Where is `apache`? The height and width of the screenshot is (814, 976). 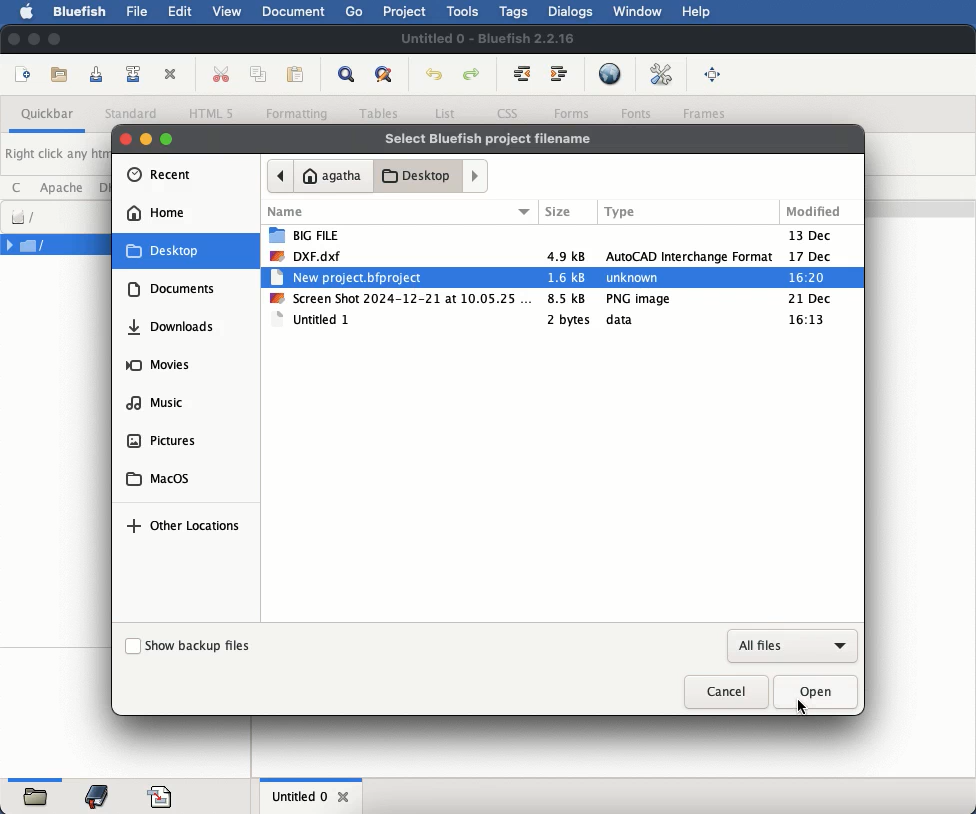 apache is located at coordinates (64, 186).